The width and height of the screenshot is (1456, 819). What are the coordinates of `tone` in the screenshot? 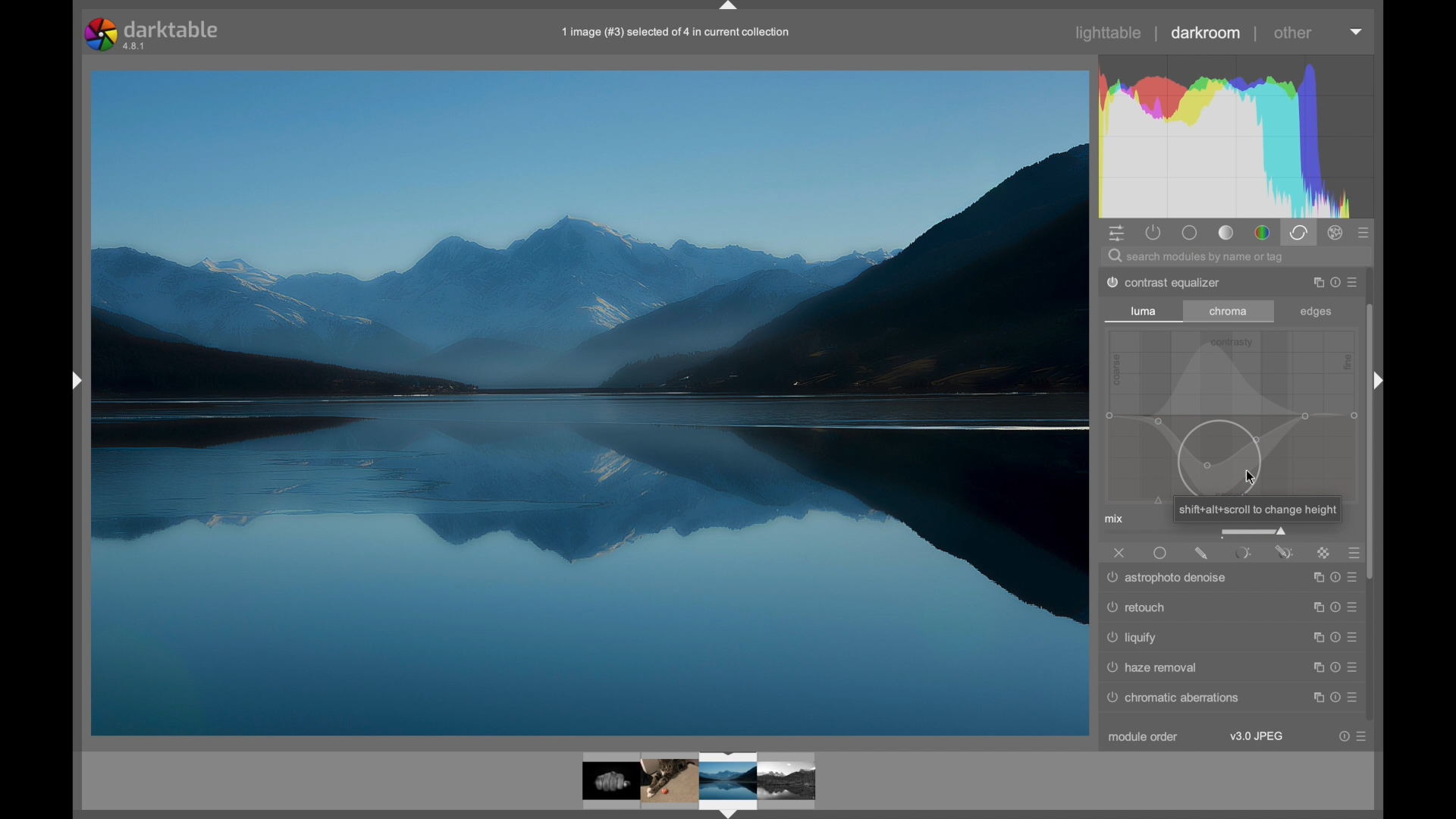 It's located at (1227, 234).